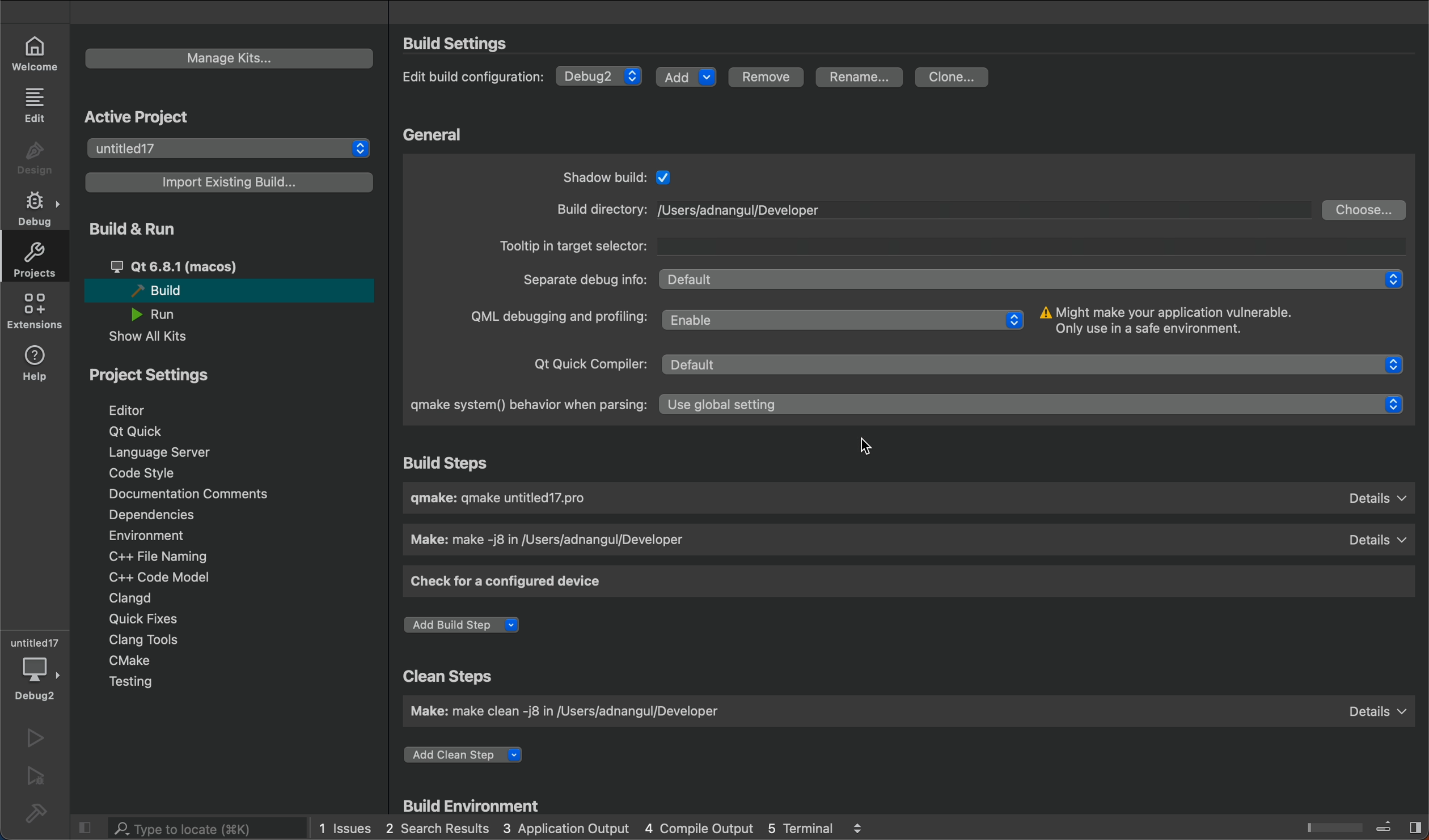 The image size is (1429, 840). Describe the element at coordinates (862, 78) in the screenshot. I see `rename` at that location.